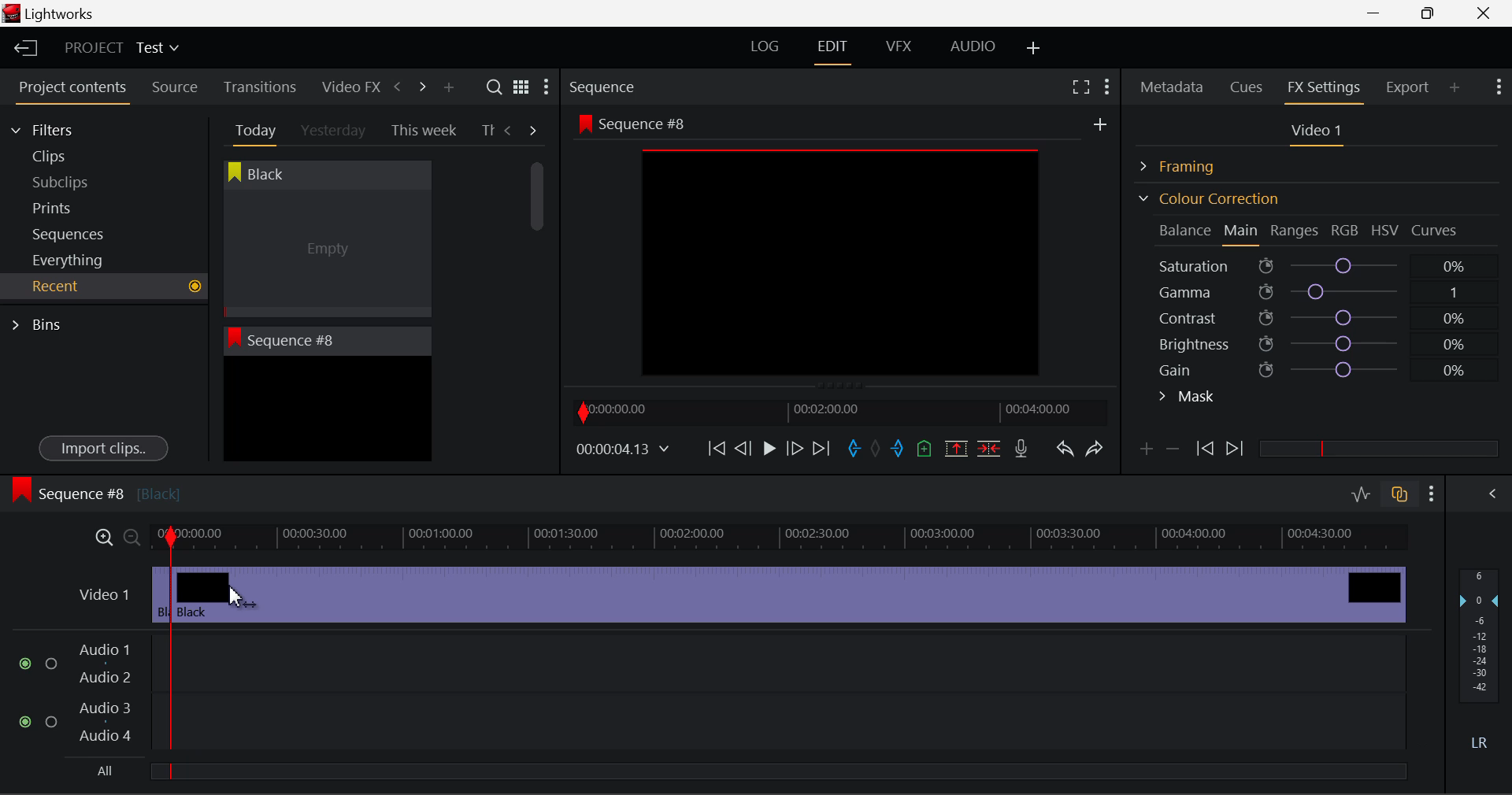  What do you see at coordinates (101, 537) in the screenshot?
I see `Timeline Zoom In` at bounding box center [101, 537].